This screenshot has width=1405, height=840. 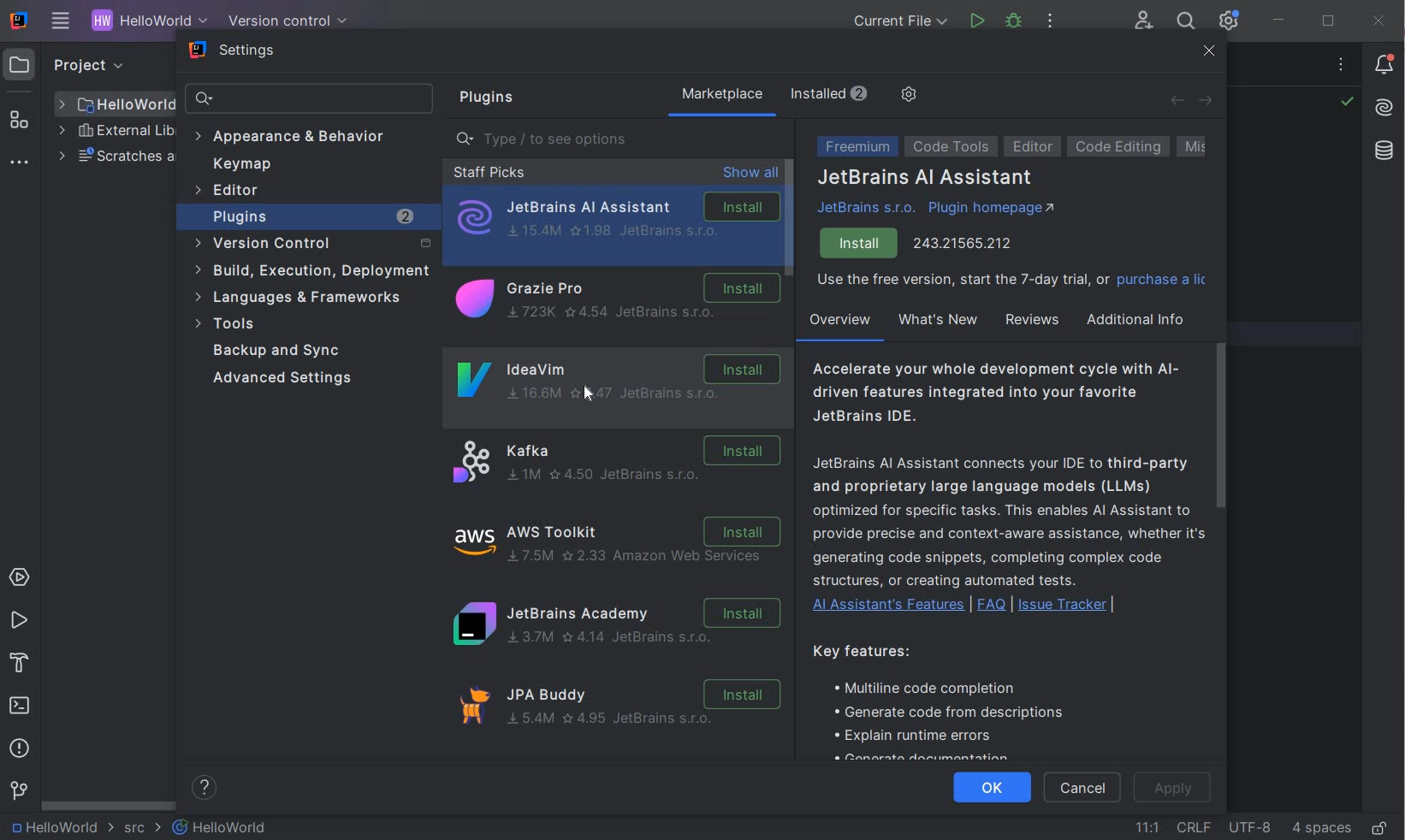 What do you see at coordinates (311, 270) in the screenshot?
I see `build, execution, deployment` at bounding box center [311, 270].